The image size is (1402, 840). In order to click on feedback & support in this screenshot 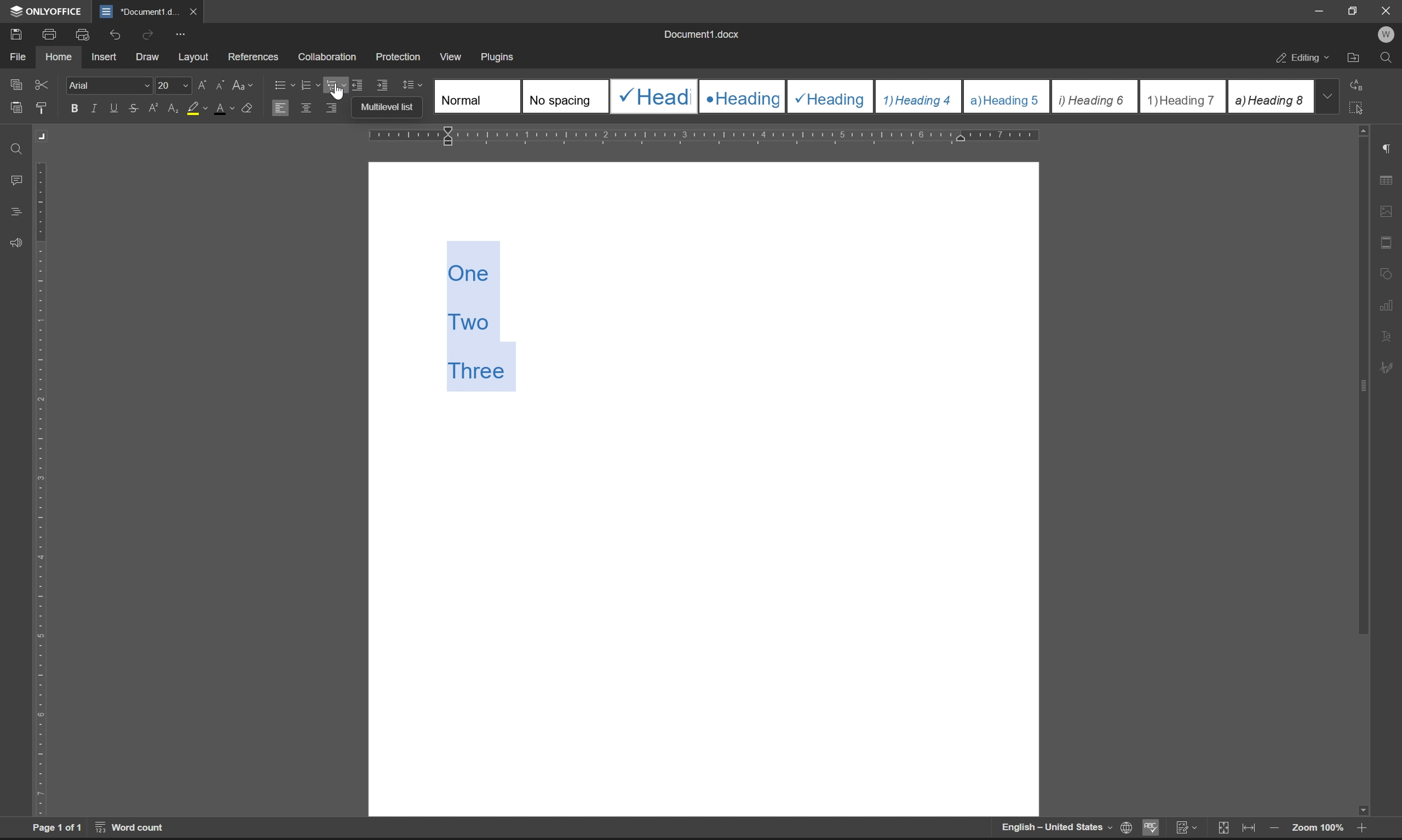, I will do `click(17, 244)`.